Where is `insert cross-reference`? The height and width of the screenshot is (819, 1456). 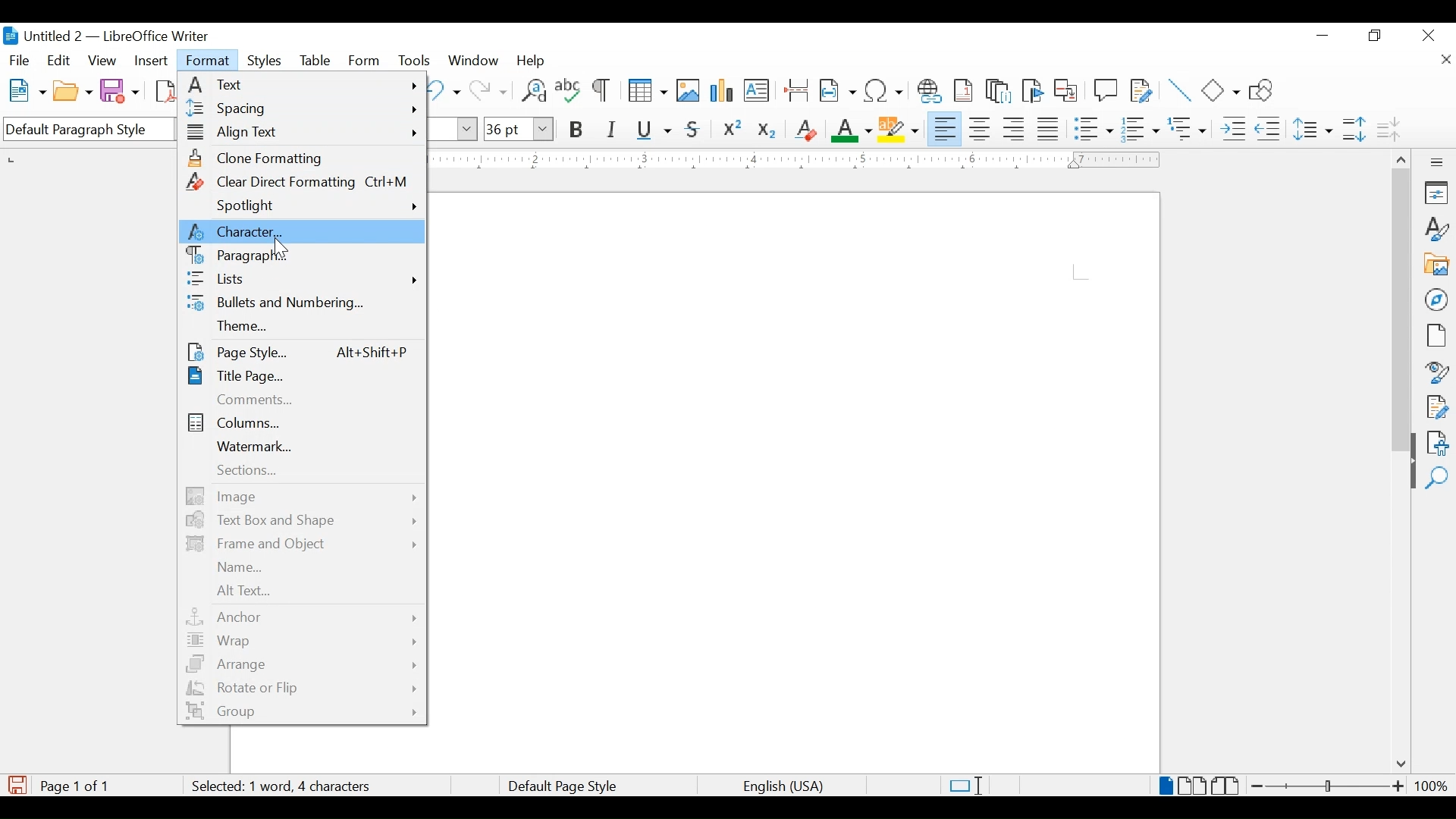 insert cross-reference is located at coordinates (1066, 89).